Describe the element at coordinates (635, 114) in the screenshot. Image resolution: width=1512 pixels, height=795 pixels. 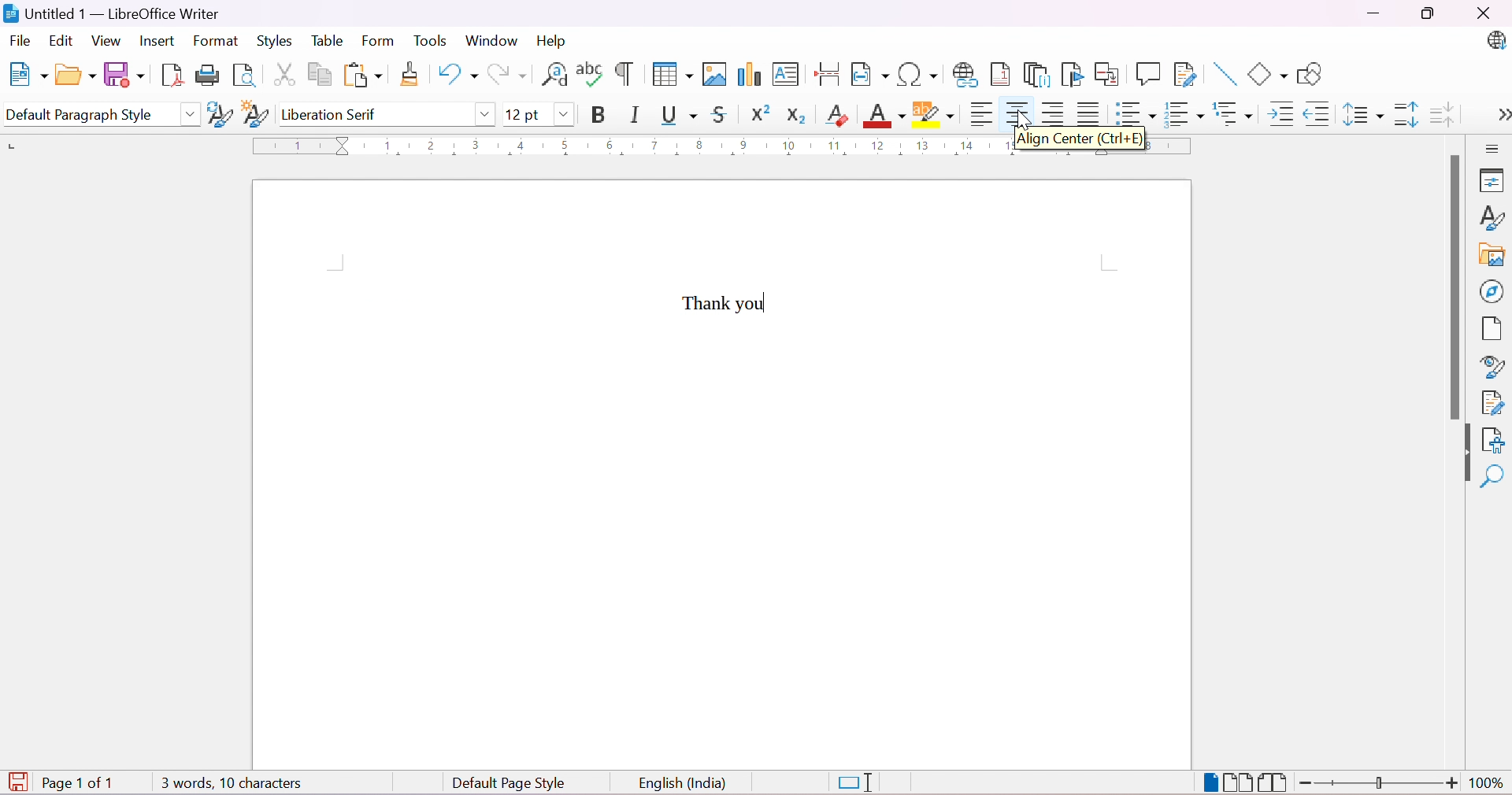
I see `Italic` at that location.